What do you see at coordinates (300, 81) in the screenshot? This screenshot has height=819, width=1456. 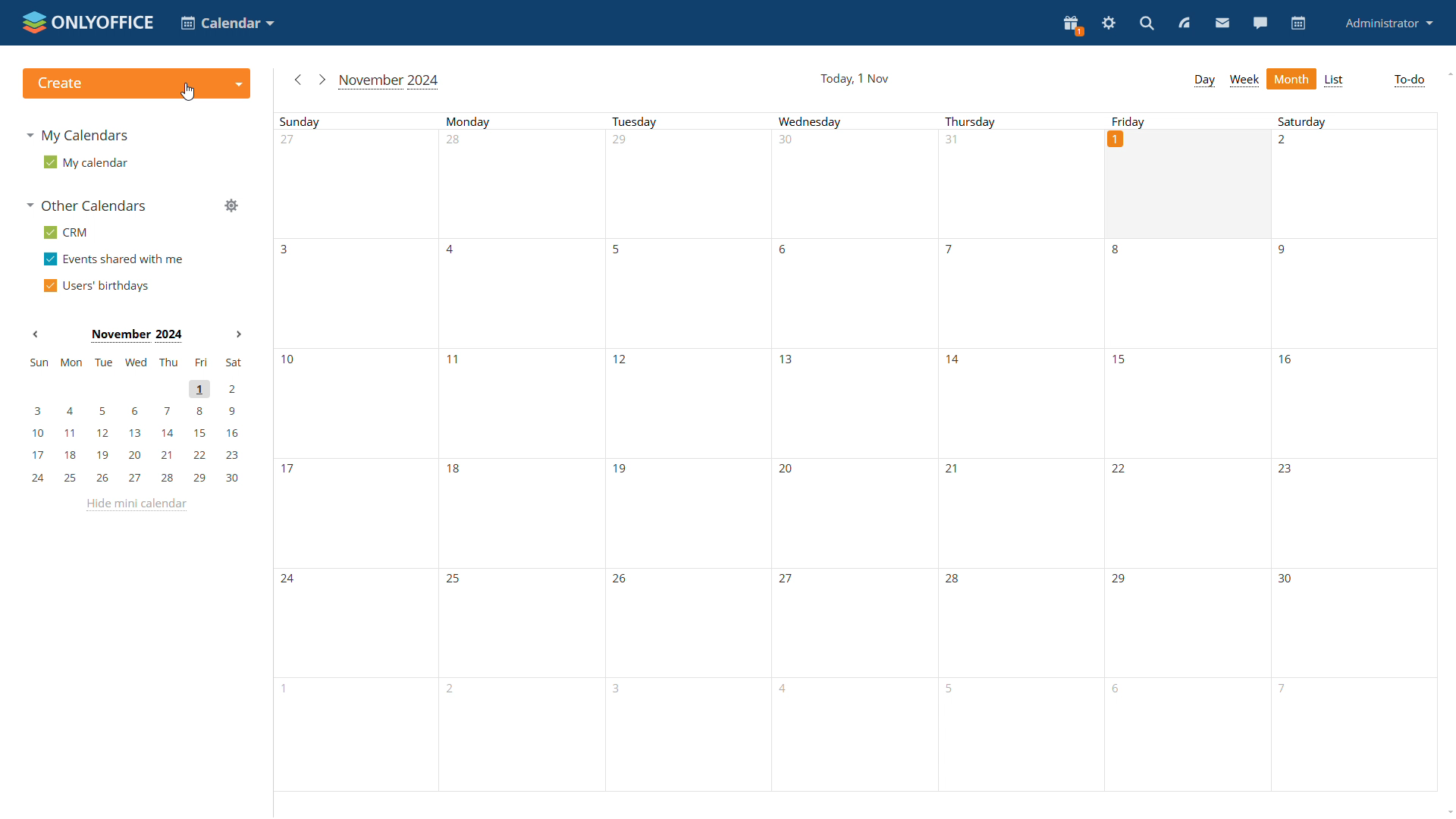 I see `go to previous month` at bounding box center [300, 81].